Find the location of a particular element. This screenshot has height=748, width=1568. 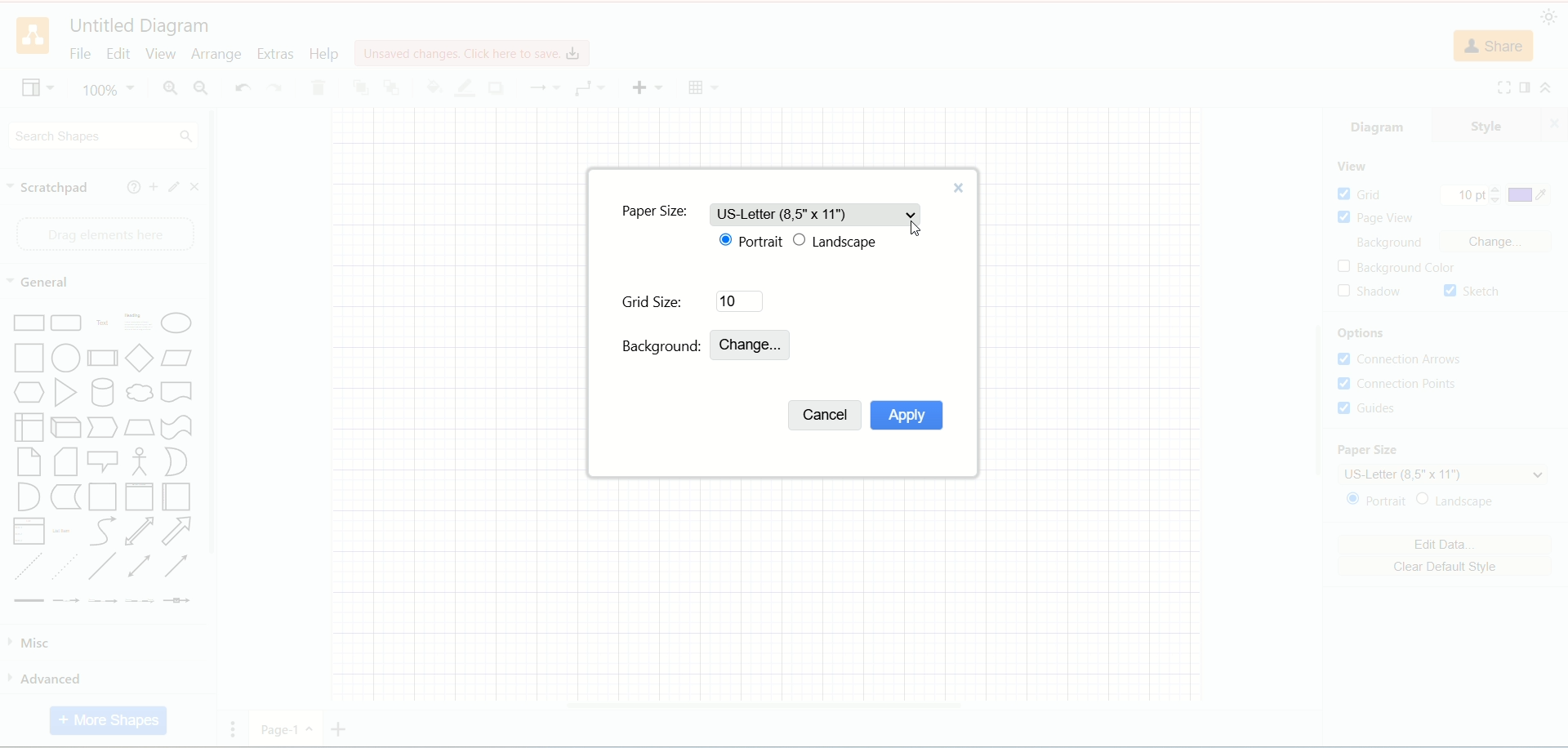

vertical scroll bar is located at coordinates (1317, 407).